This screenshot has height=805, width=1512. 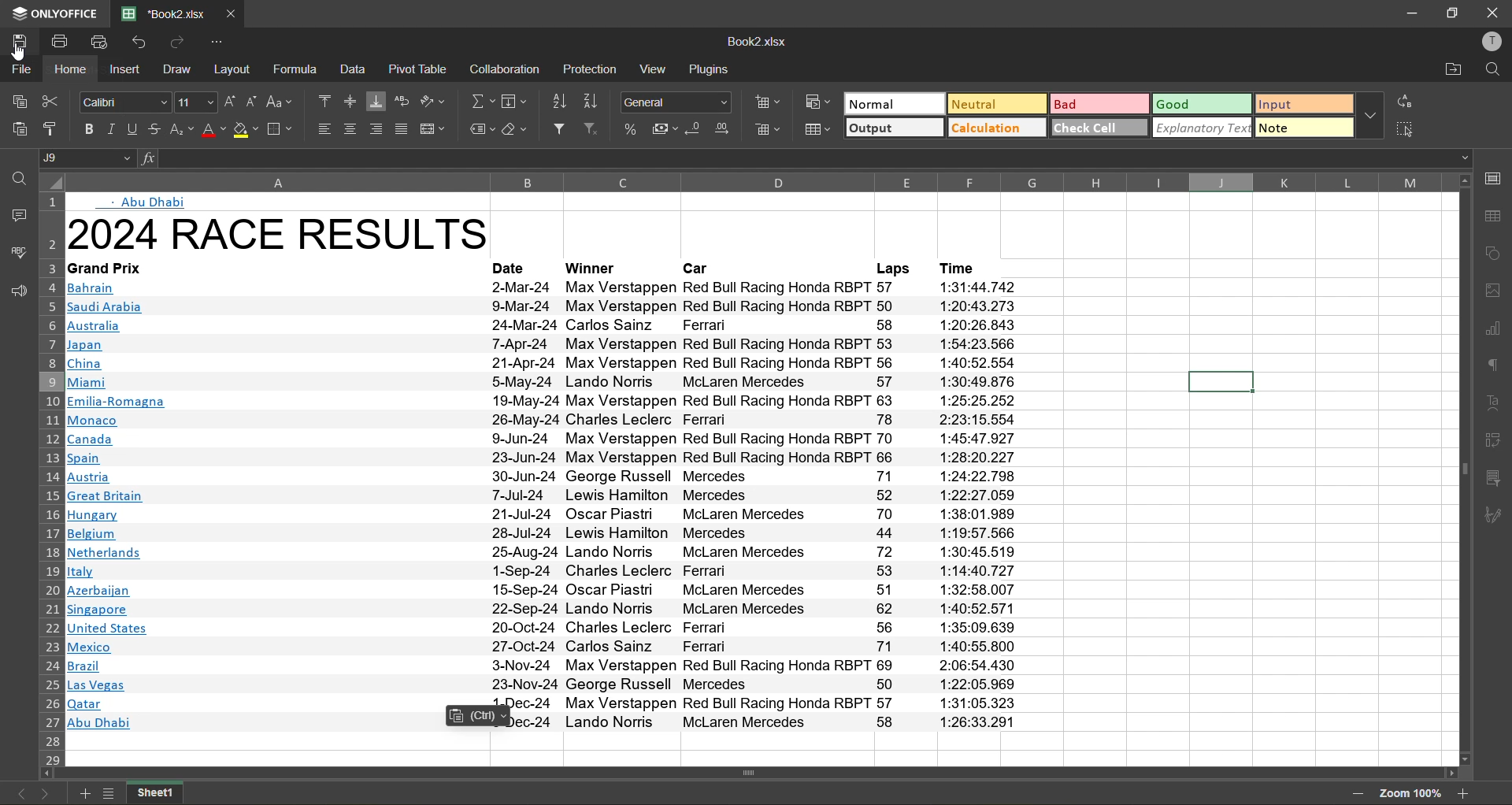 What do you see at coordinates (662, 130) in the screenshot?
I see `accounting` at bounding box center [662, 130].